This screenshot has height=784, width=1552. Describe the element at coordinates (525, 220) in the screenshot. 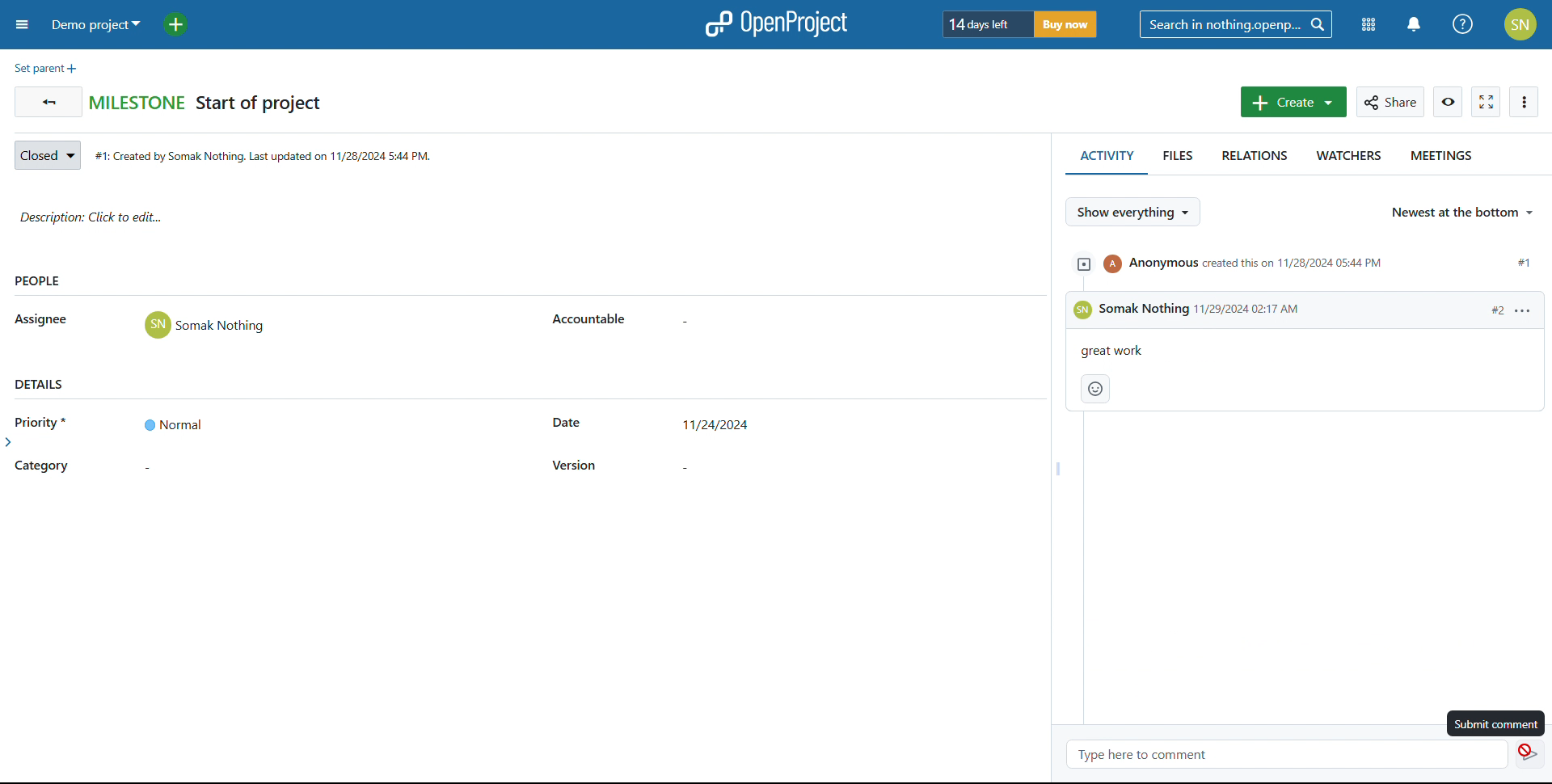

I see `description: click to add edit` at that location.